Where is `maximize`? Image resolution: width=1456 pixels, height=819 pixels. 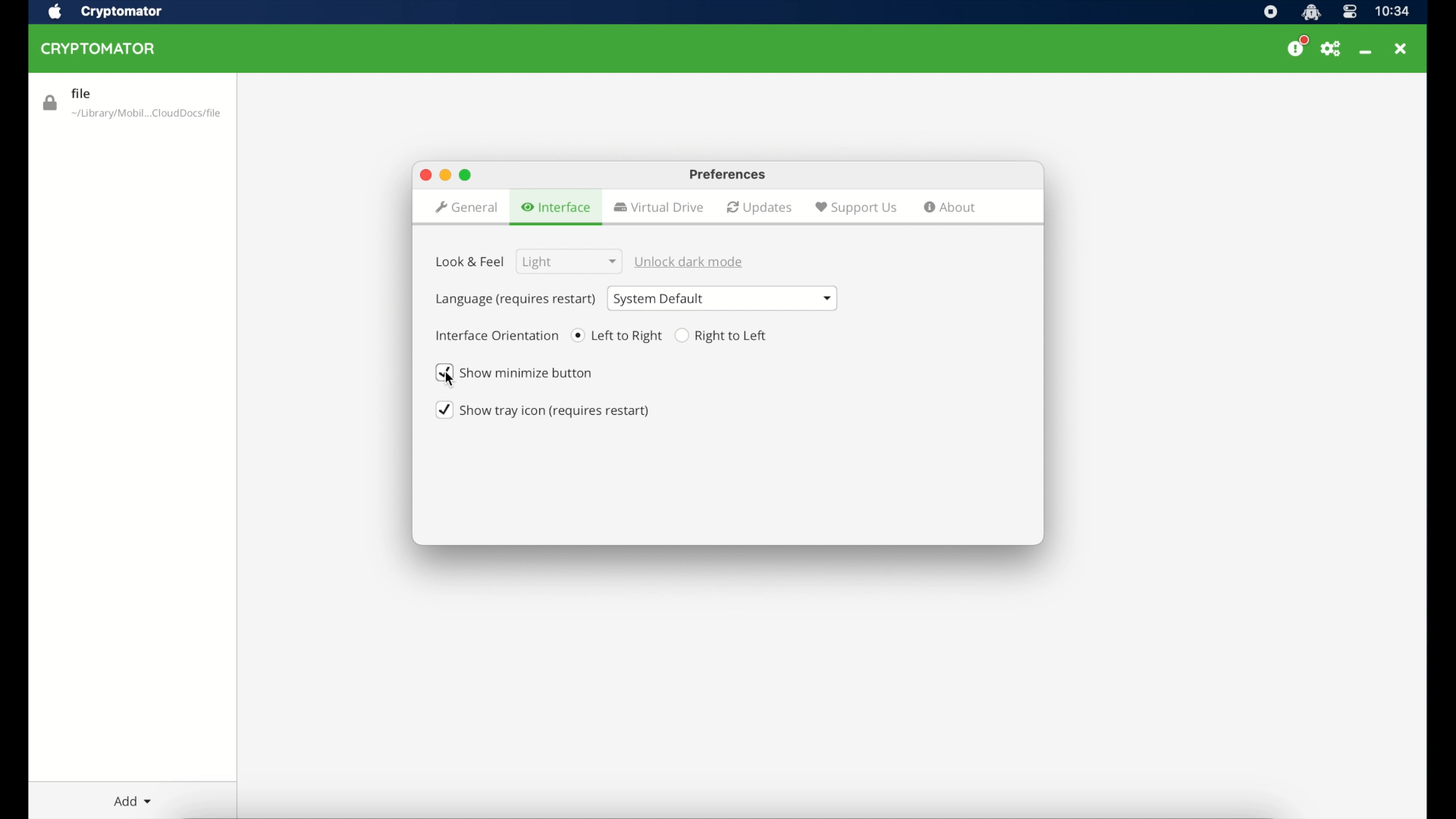
maximize is located at coordinates (466, 175).